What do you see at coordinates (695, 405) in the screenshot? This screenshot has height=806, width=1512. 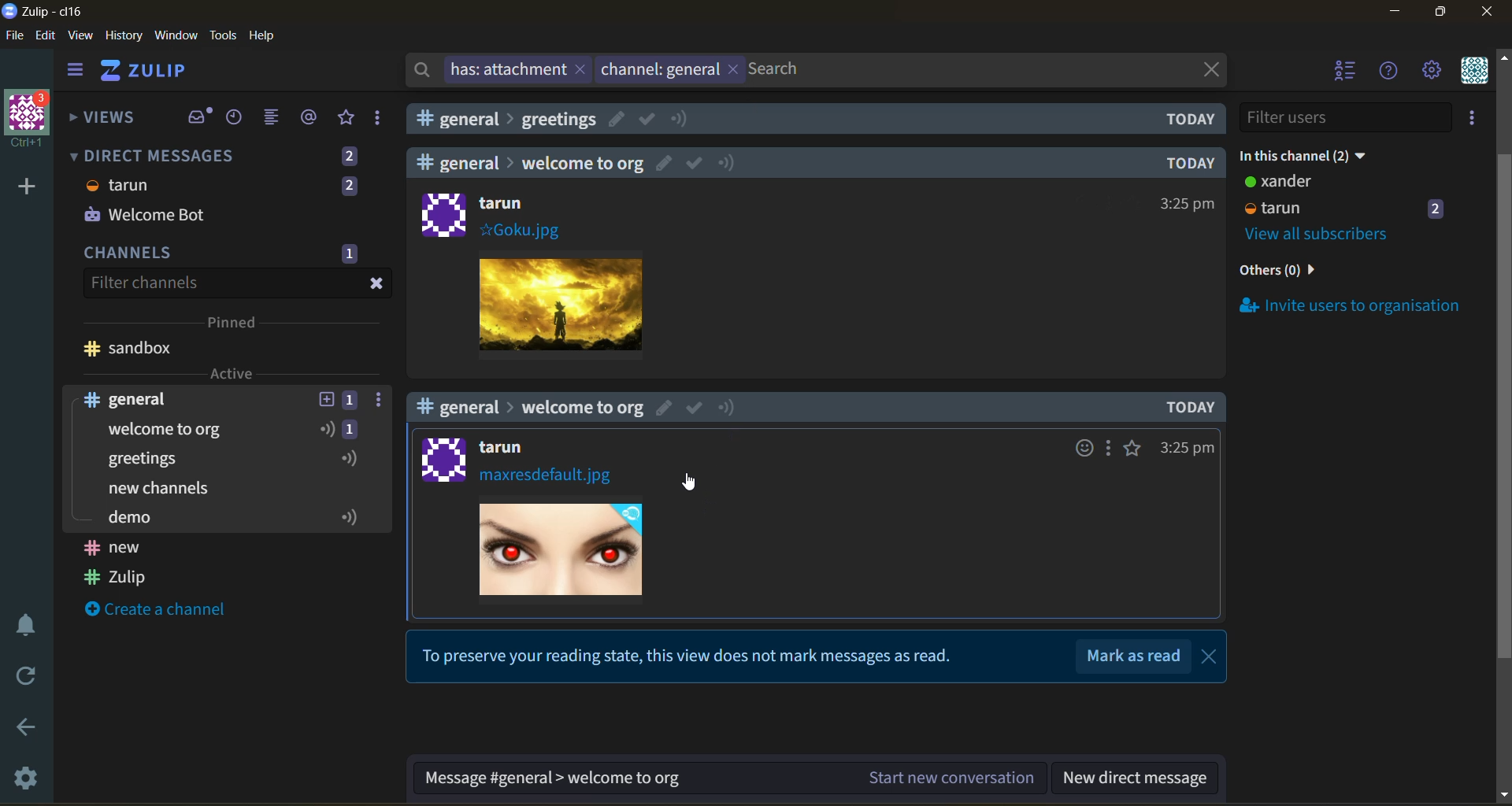 I see `mark` at bounding box center [695, 405].